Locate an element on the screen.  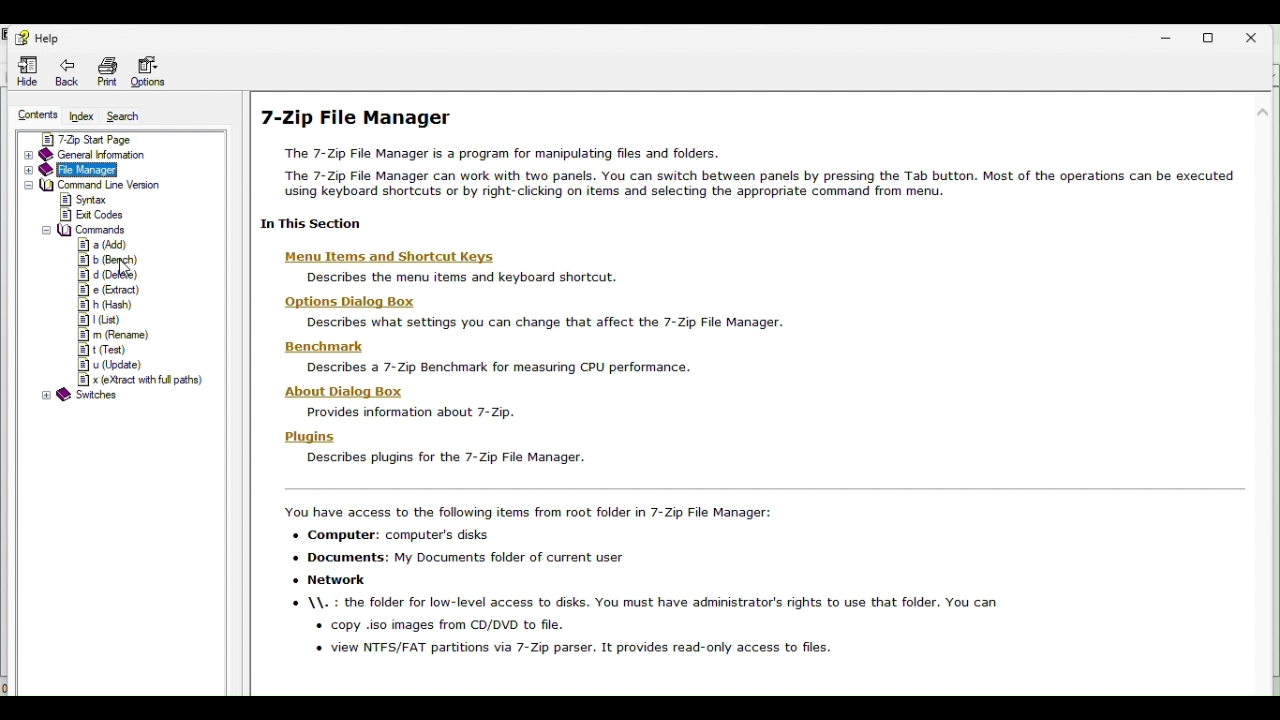
Contents is located at coordinates (38, 116).